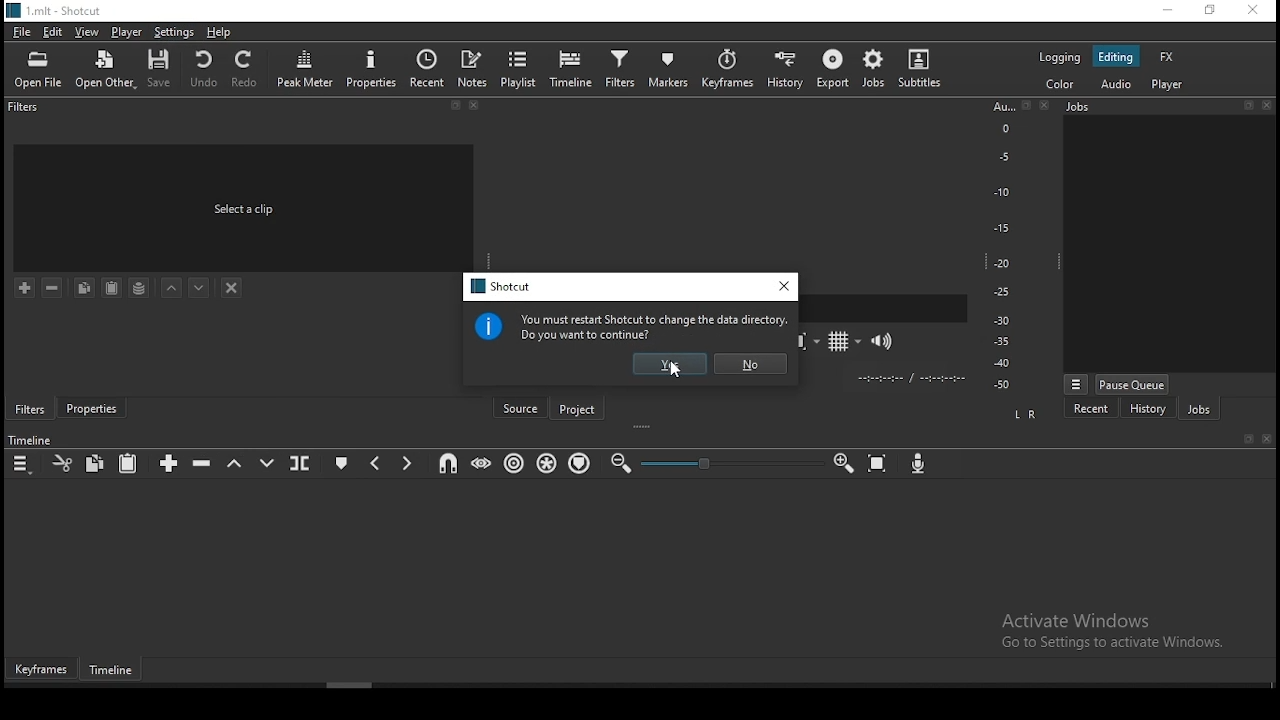  Describe the element at coordinates (919, 465) in the screenshot. I see `record audio` at that location.